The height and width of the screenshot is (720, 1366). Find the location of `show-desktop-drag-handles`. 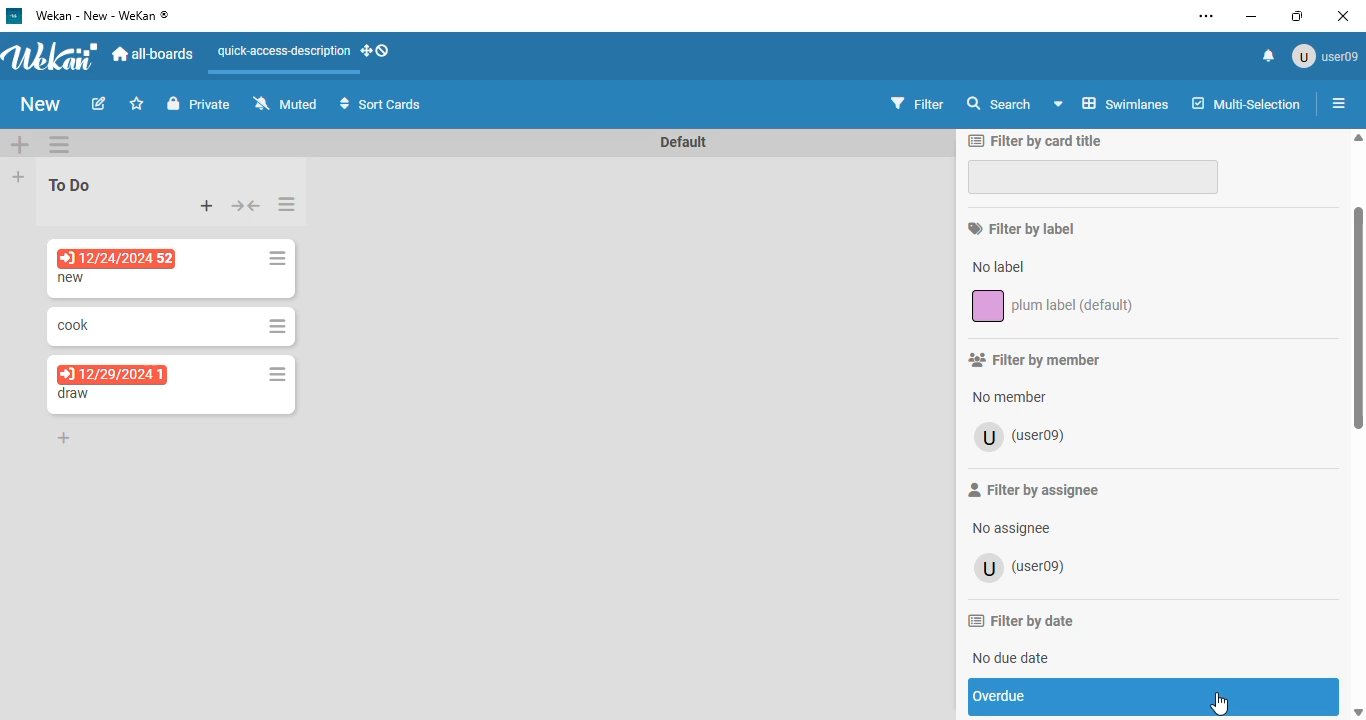

show-desktop-drag-handles is located at coordinates (376, 50).